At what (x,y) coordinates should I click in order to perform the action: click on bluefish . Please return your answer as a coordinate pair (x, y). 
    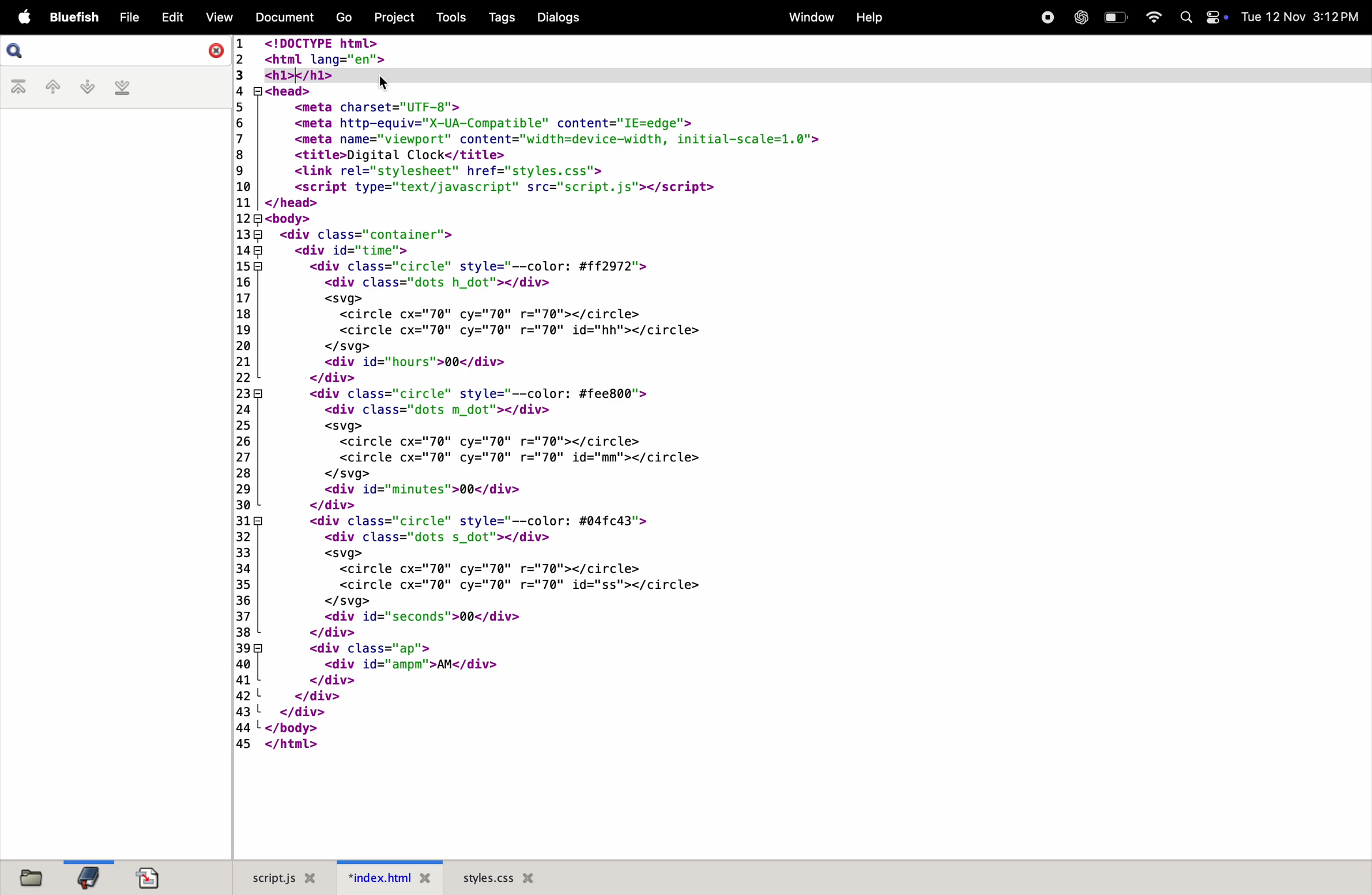
    Looking at the image, I should click on (75, 18).